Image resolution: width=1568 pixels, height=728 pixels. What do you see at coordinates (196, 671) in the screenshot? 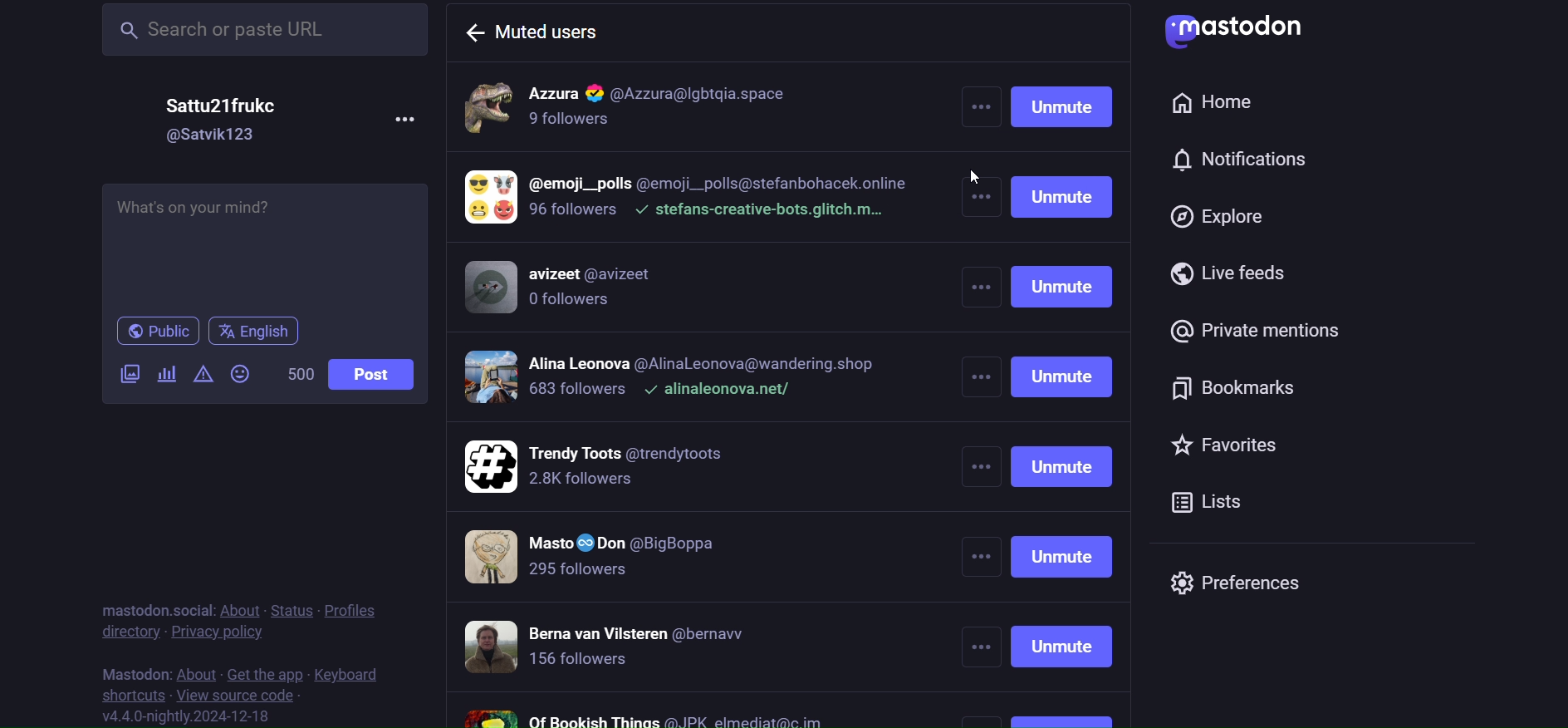
I see `about` at bounding box center [196, 671].